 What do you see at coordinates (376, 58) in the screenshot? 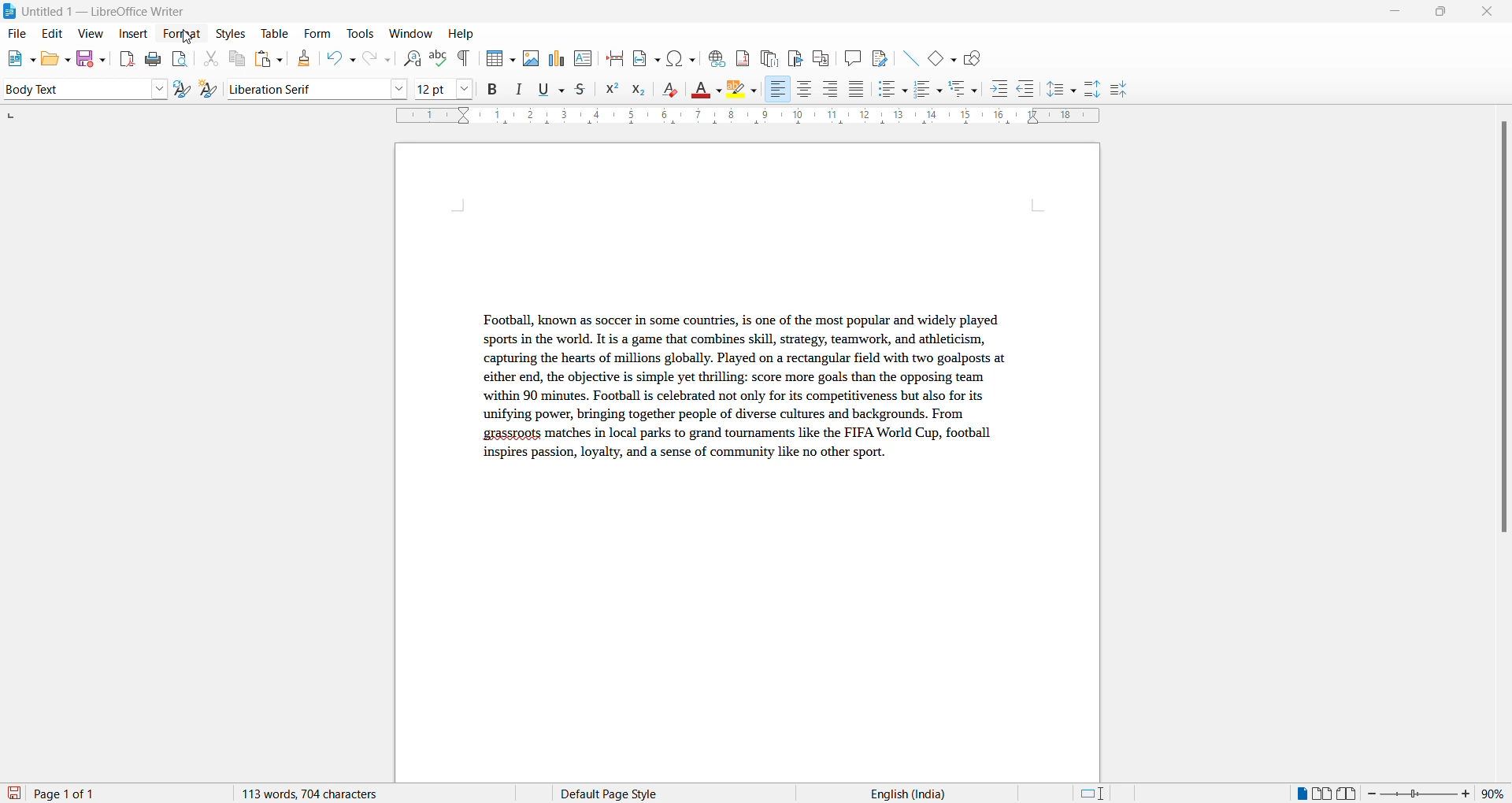
I see `redo` at bounding box center [376, 58].